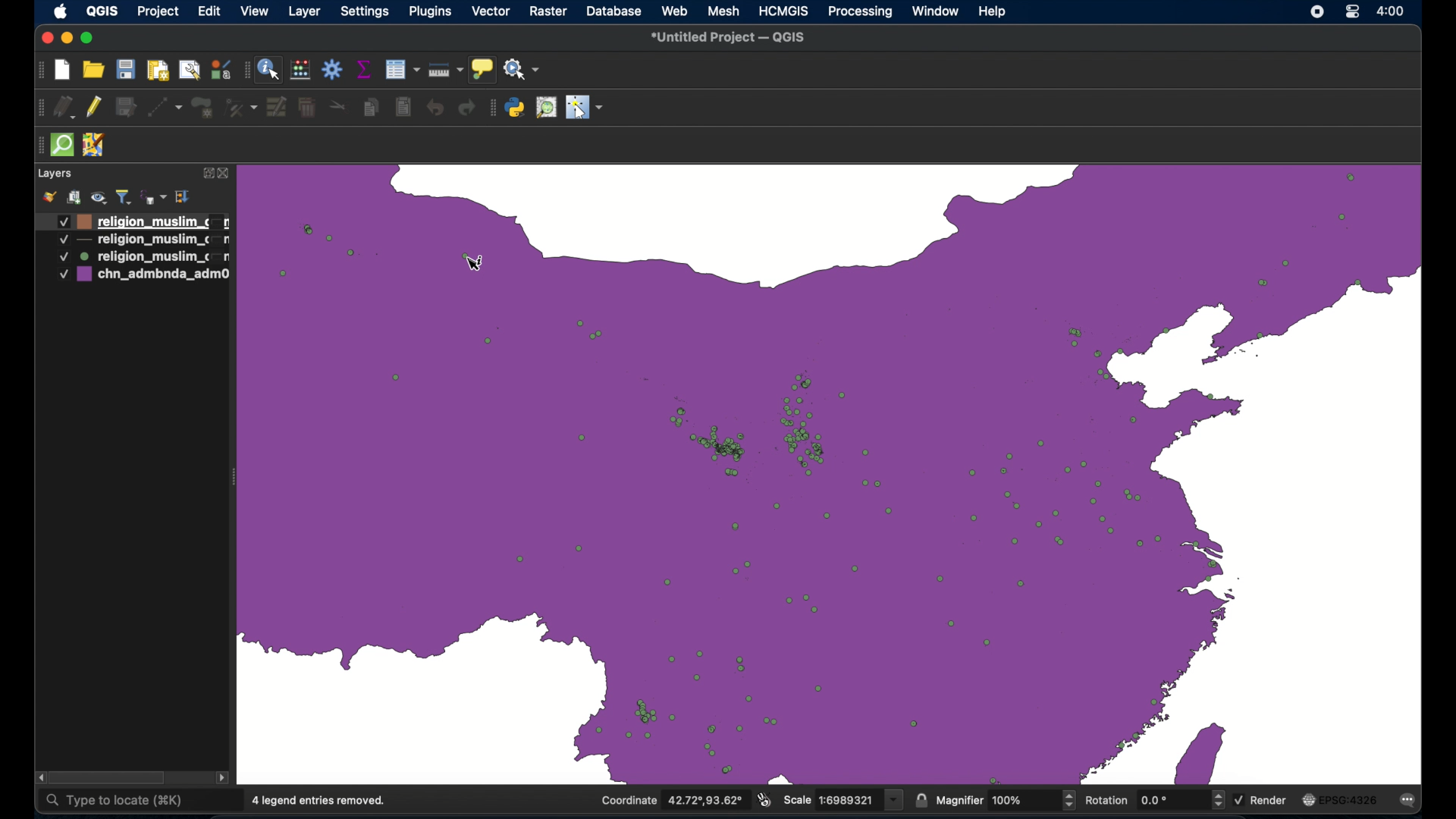 Image resolution: width=1456 pixels, height=819 pixels. What do you see at coordinates (89, 39) in the screenshot?
I see `maximize` at bounding box center [89, 39].